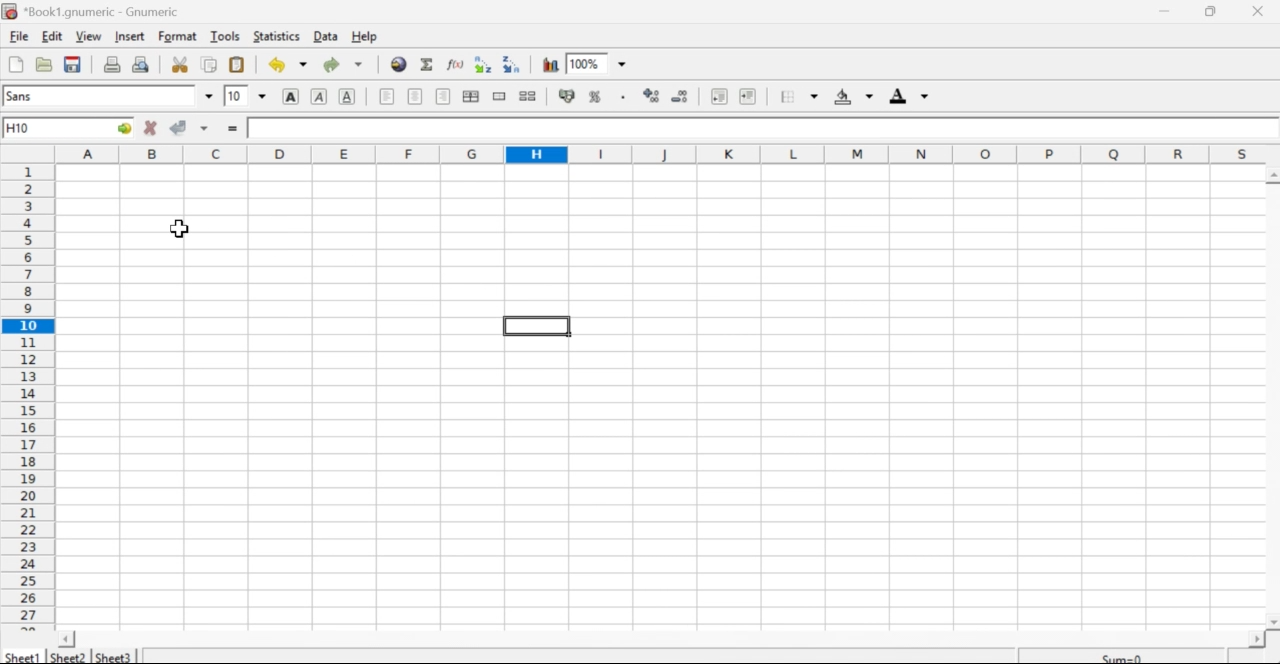 The height and width of the screenshot is (664, 1280). What do you see at coordinates (1272, 176) in the screenshot?
I see `scroll up` at bounding box center [1272, 176].